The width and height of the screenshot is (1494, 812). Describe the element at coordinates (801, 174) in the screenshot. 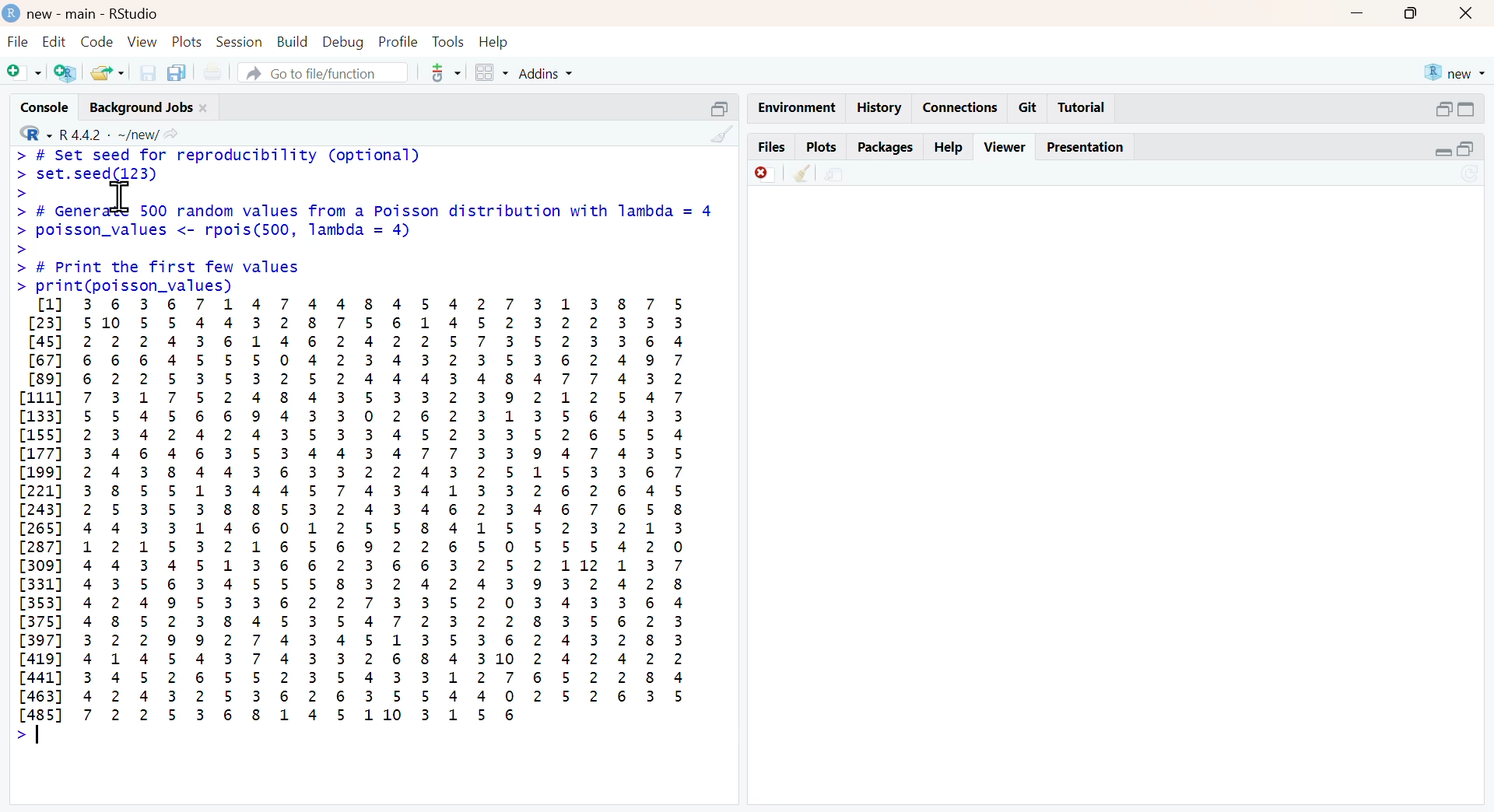

I see `clean` at that location.